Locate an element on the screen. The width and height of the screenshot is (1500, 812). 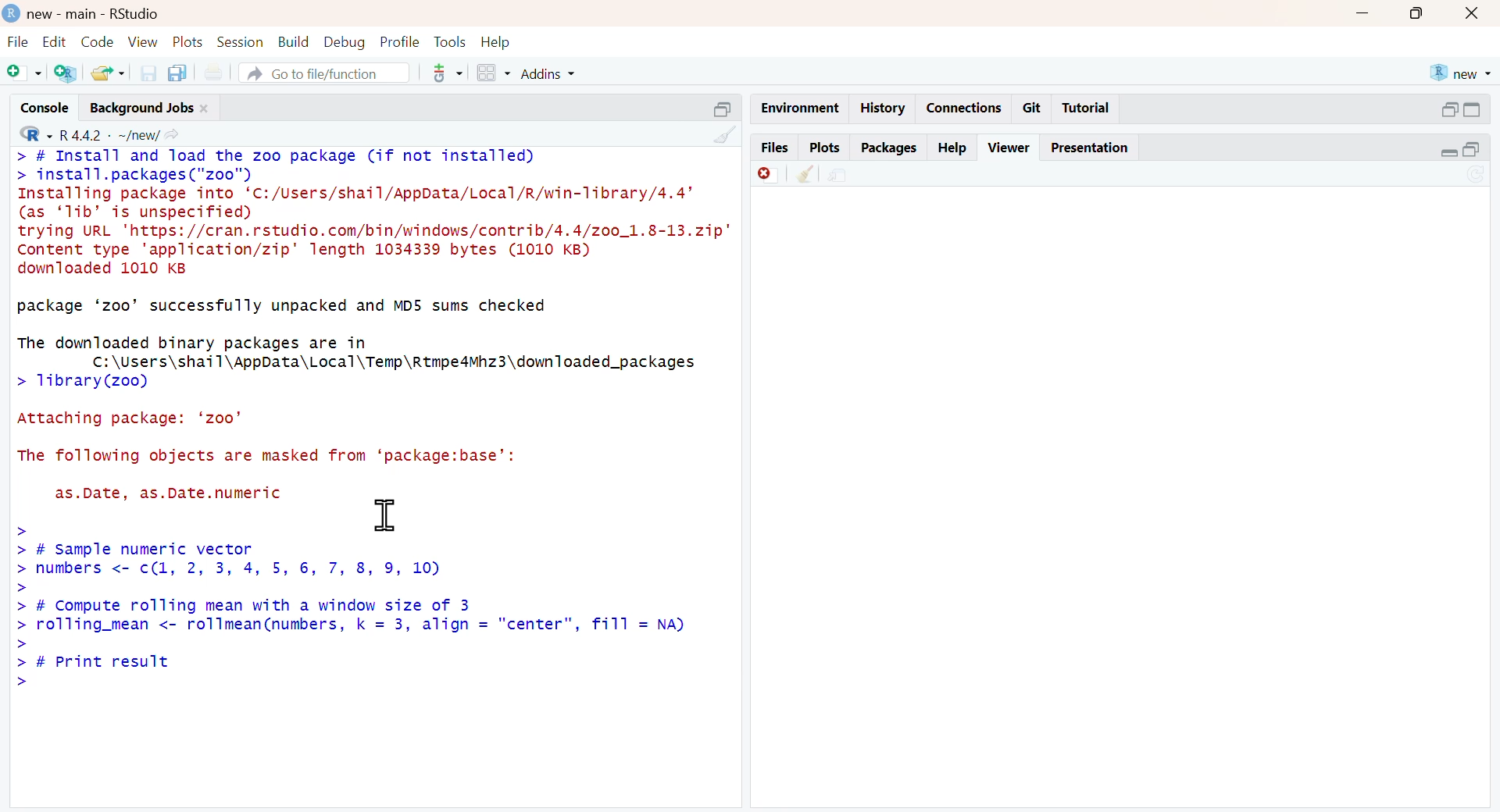
The downloaded binary packages are in
C:\Users\shail\AppData\Local\Temp\Rtmpe4Mhz3\downTloaded_packages
> 1ibrary(zoo) is located at coordinates (359, 364).